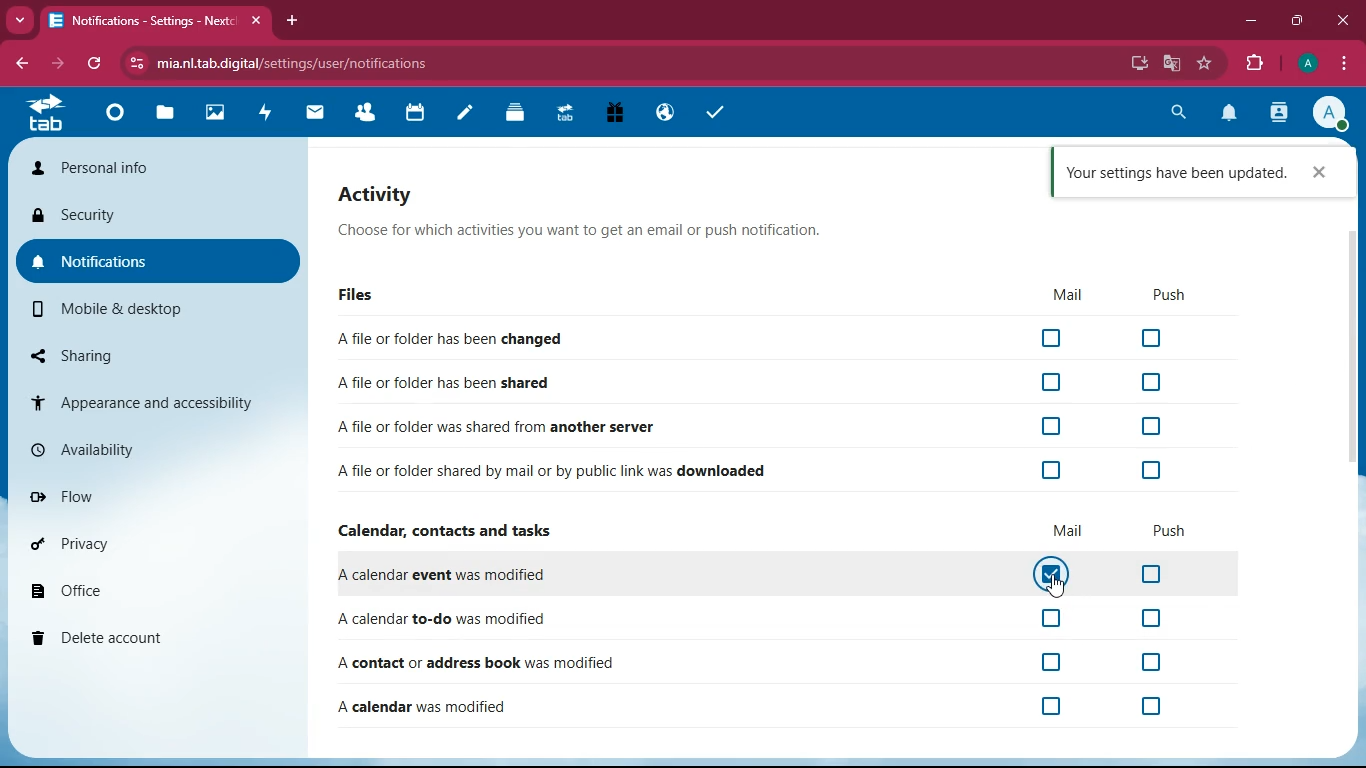  I want to click on notifications, so click(157, 262).